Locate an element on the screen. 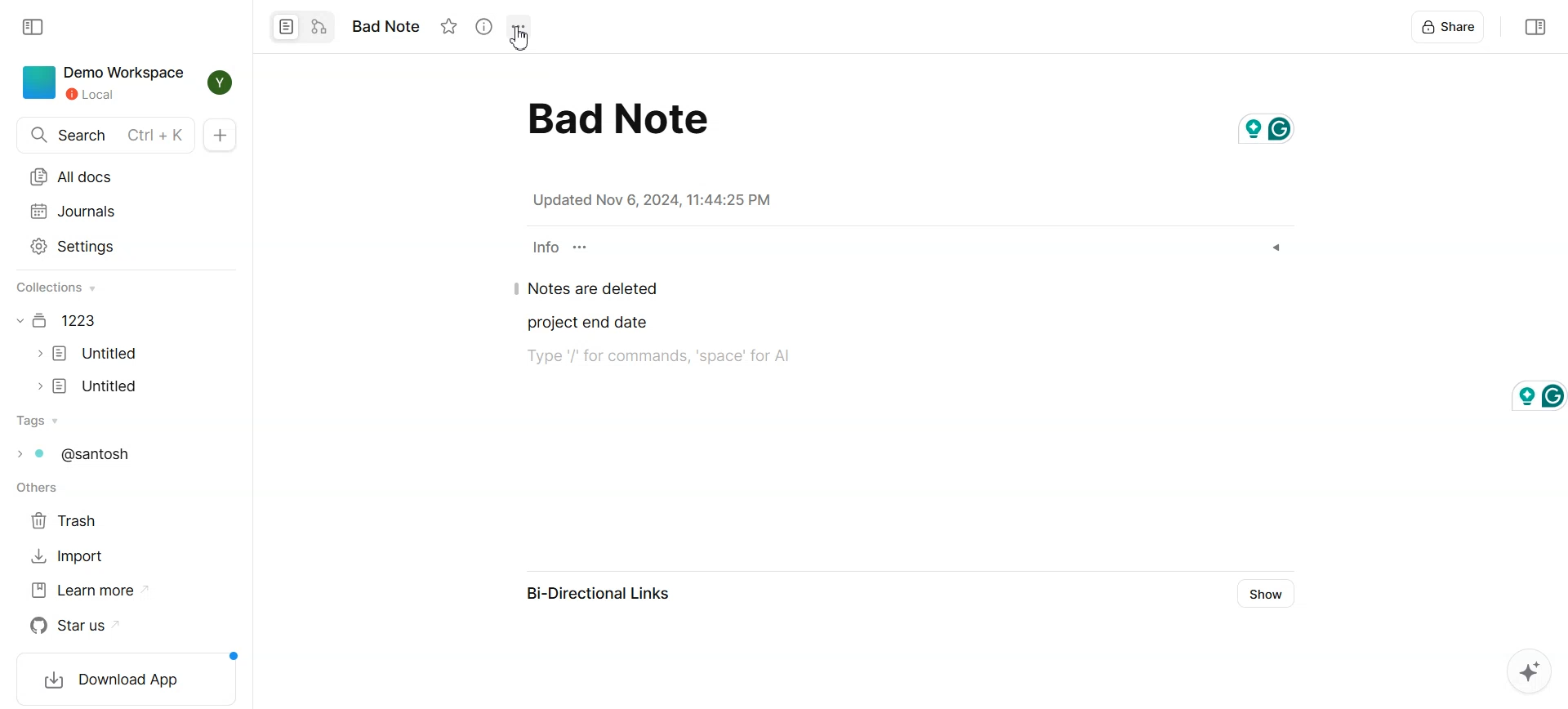  Learn more is located at coordinates (88, 591).